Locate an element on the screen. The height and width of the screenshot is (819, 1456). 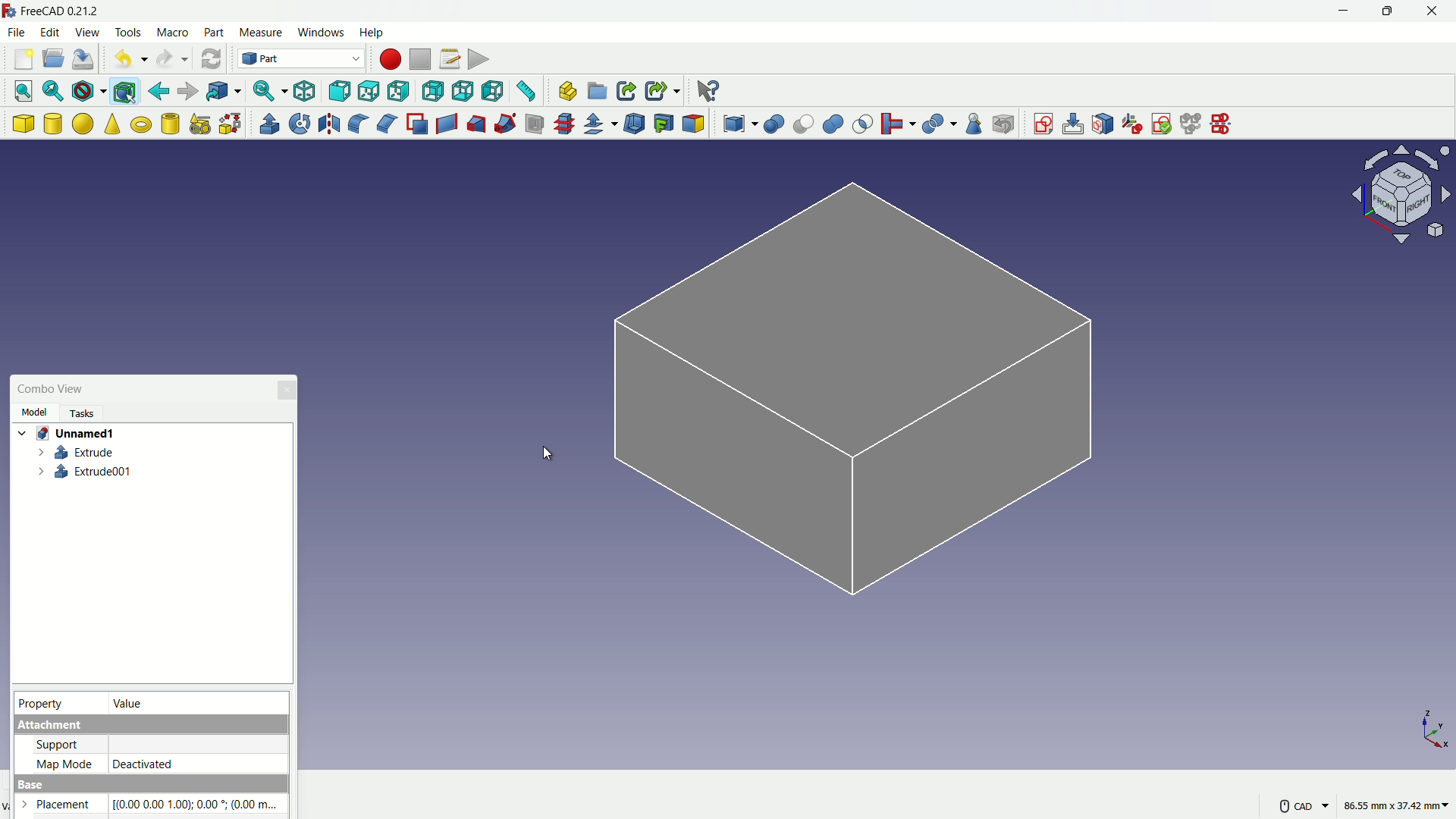
support is located at coordinates (57, 744).